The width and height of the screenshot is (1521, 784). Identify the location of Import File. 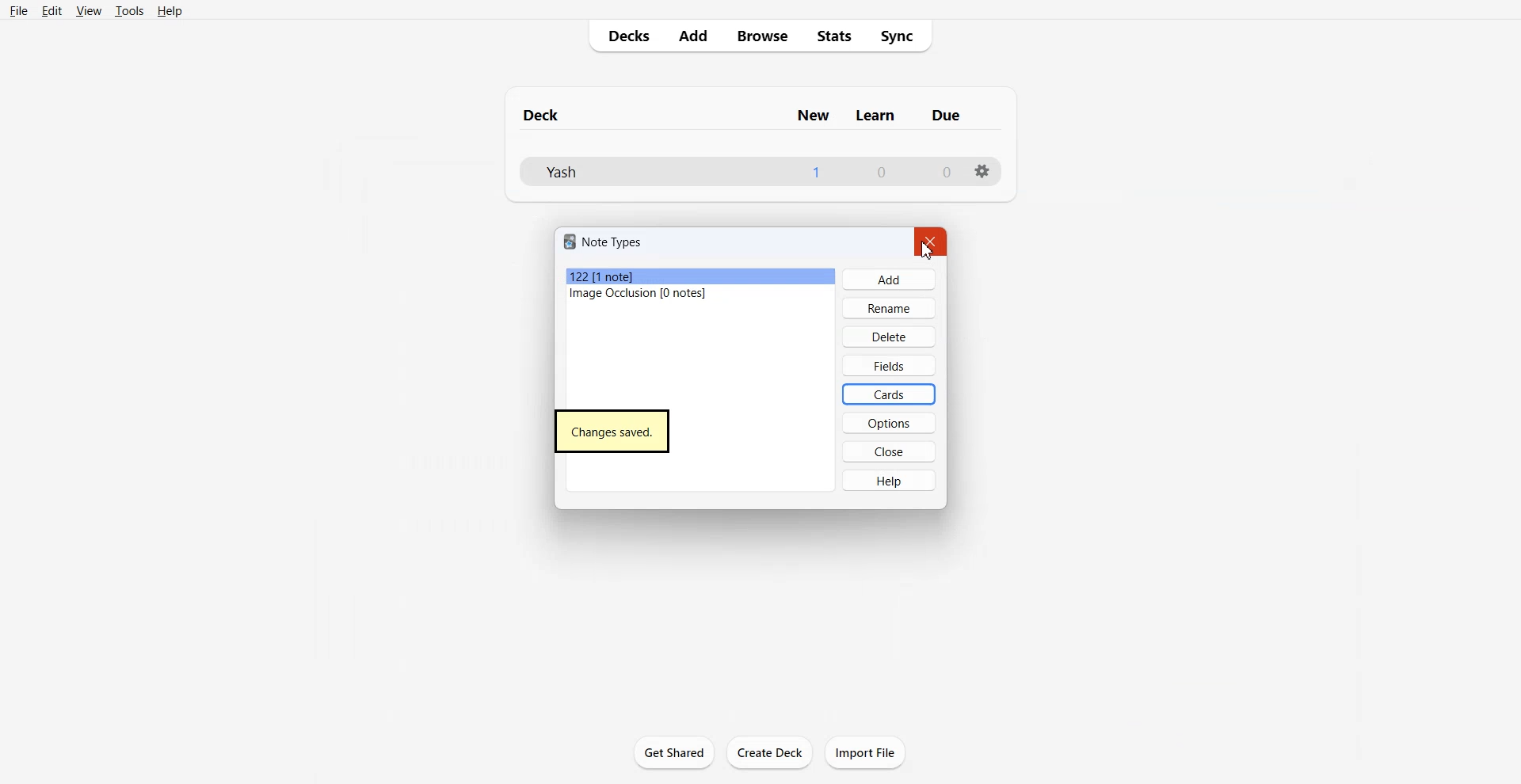
(865, 752).